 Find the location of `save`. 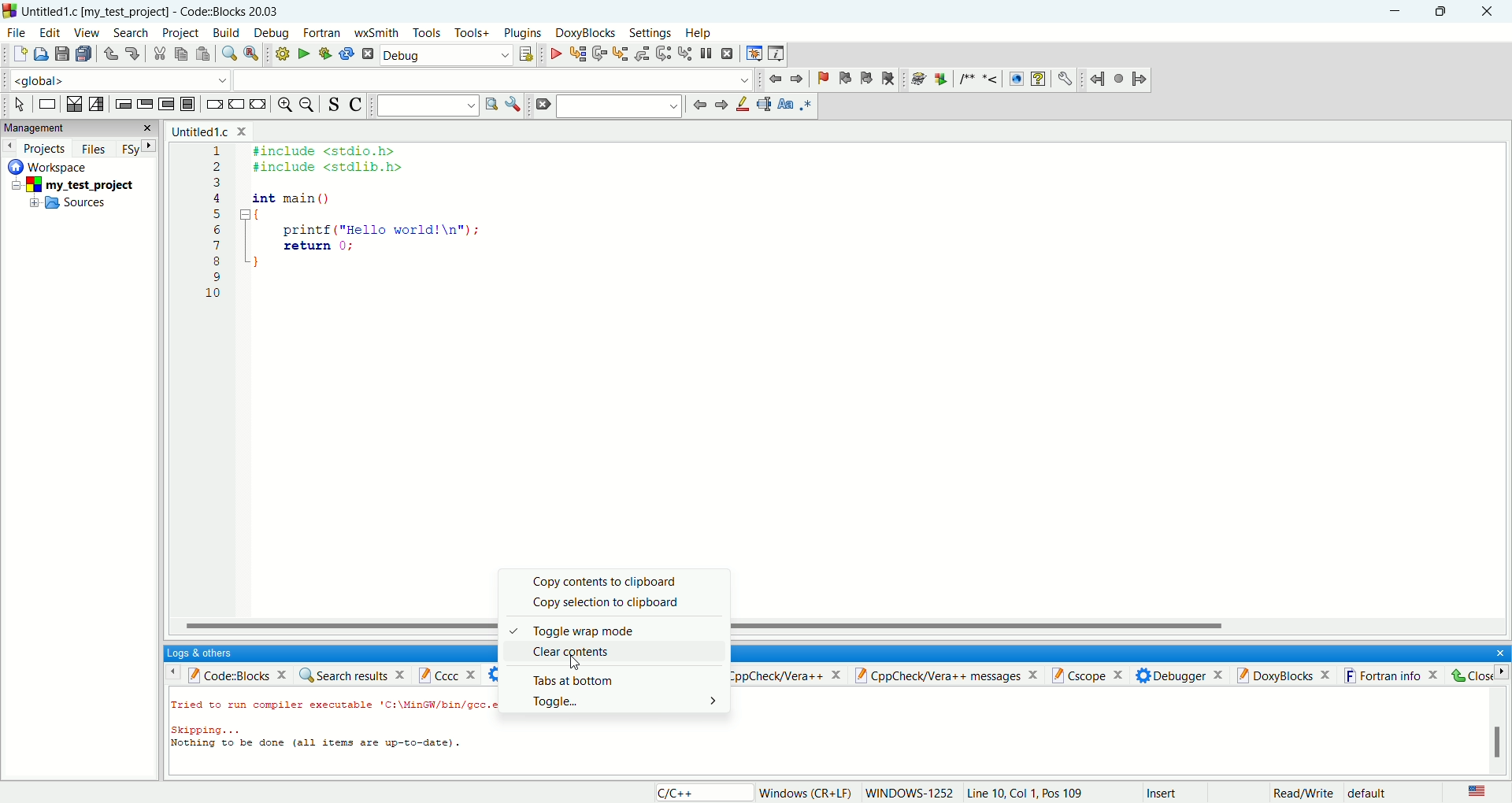

save is located at coordinates (62, 54).